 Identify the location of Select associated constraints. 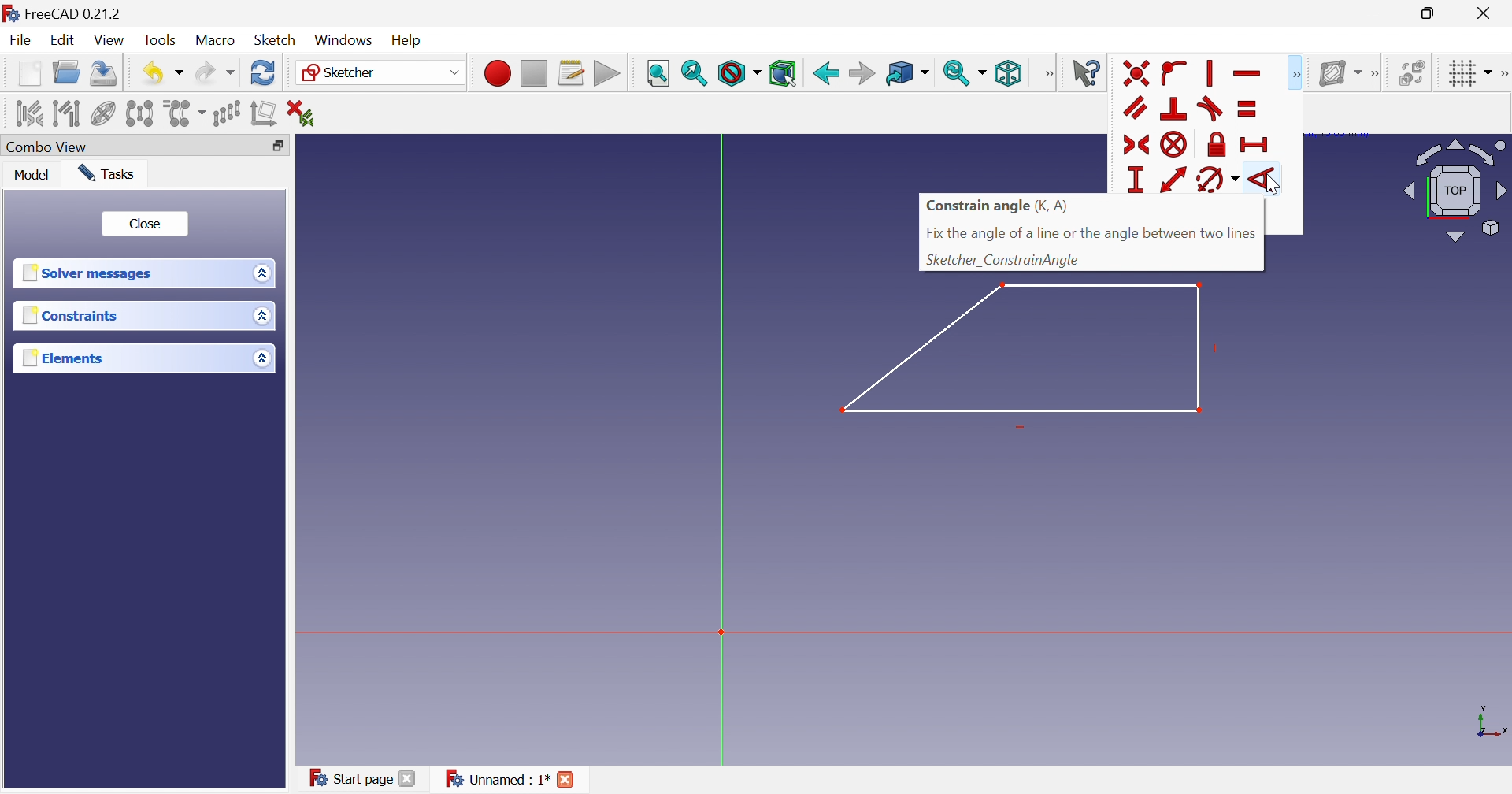
(23, 113).